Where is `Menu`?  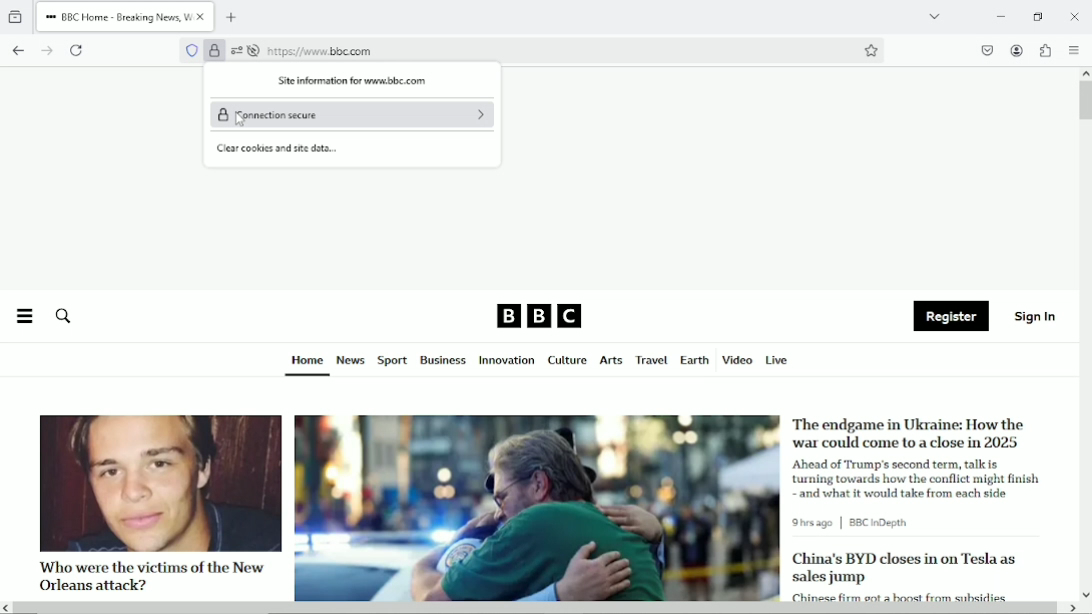
Menu is located at coordinates (24, 316).